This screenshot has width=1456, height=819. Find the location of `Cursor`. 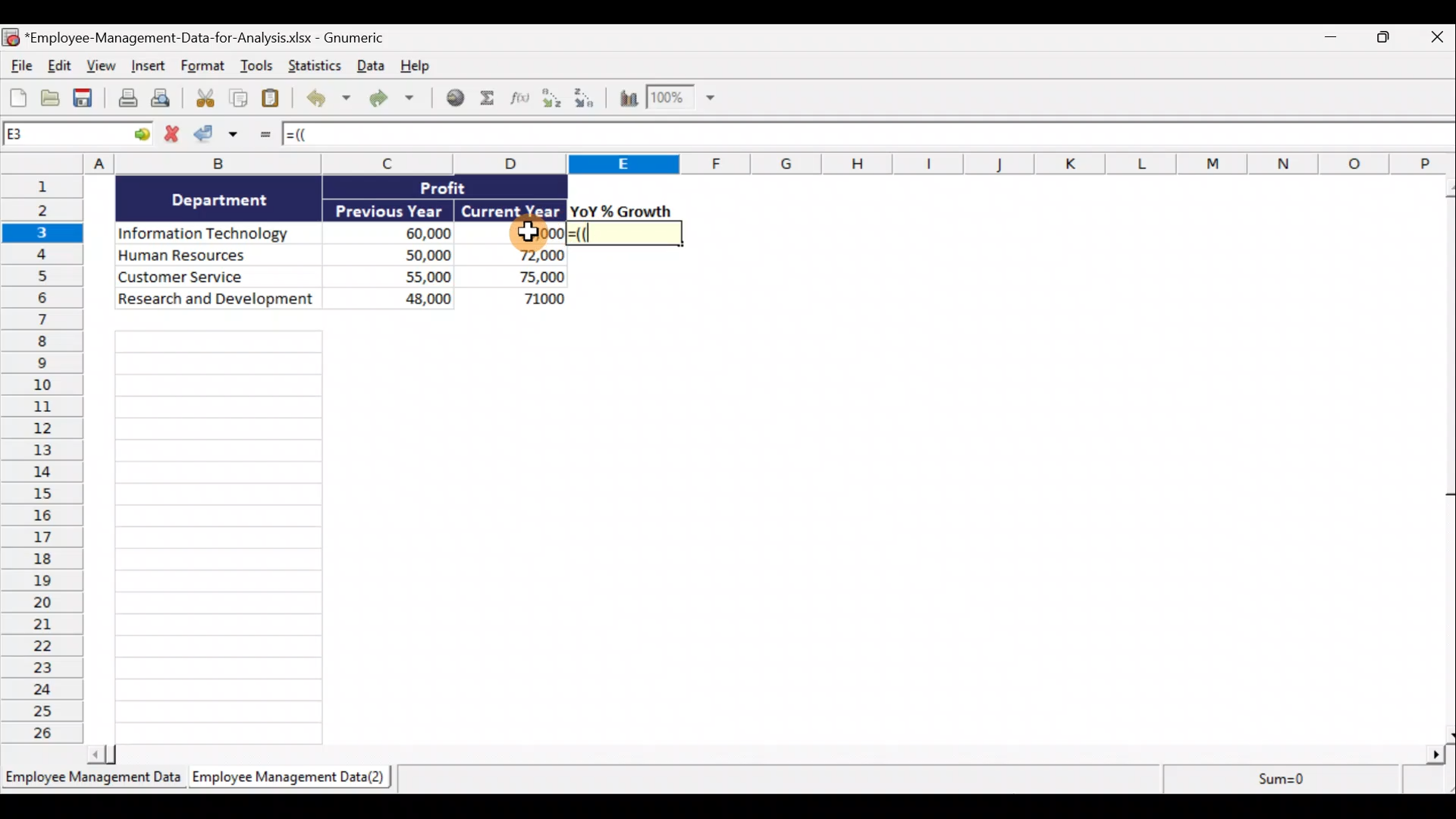

Cursor is located at coordinates (529, 230).